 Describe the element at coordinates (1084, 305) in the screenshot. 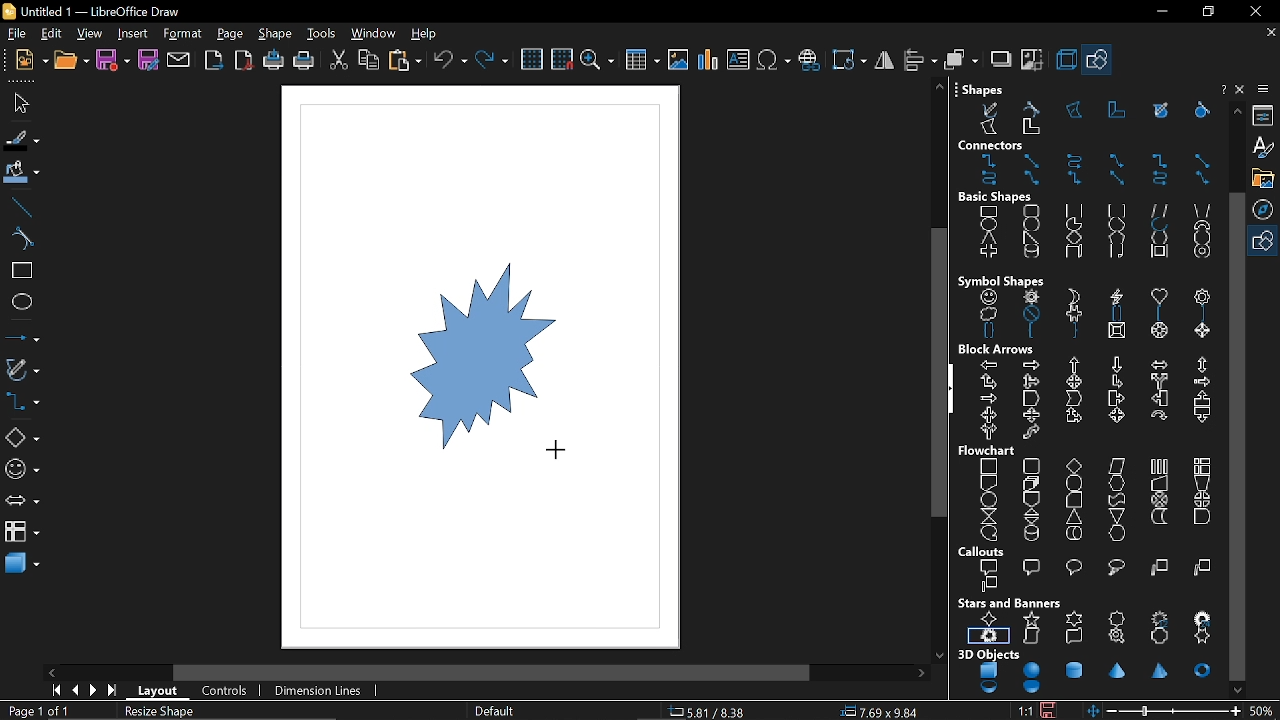

I see `Symbol shapes` at that location.